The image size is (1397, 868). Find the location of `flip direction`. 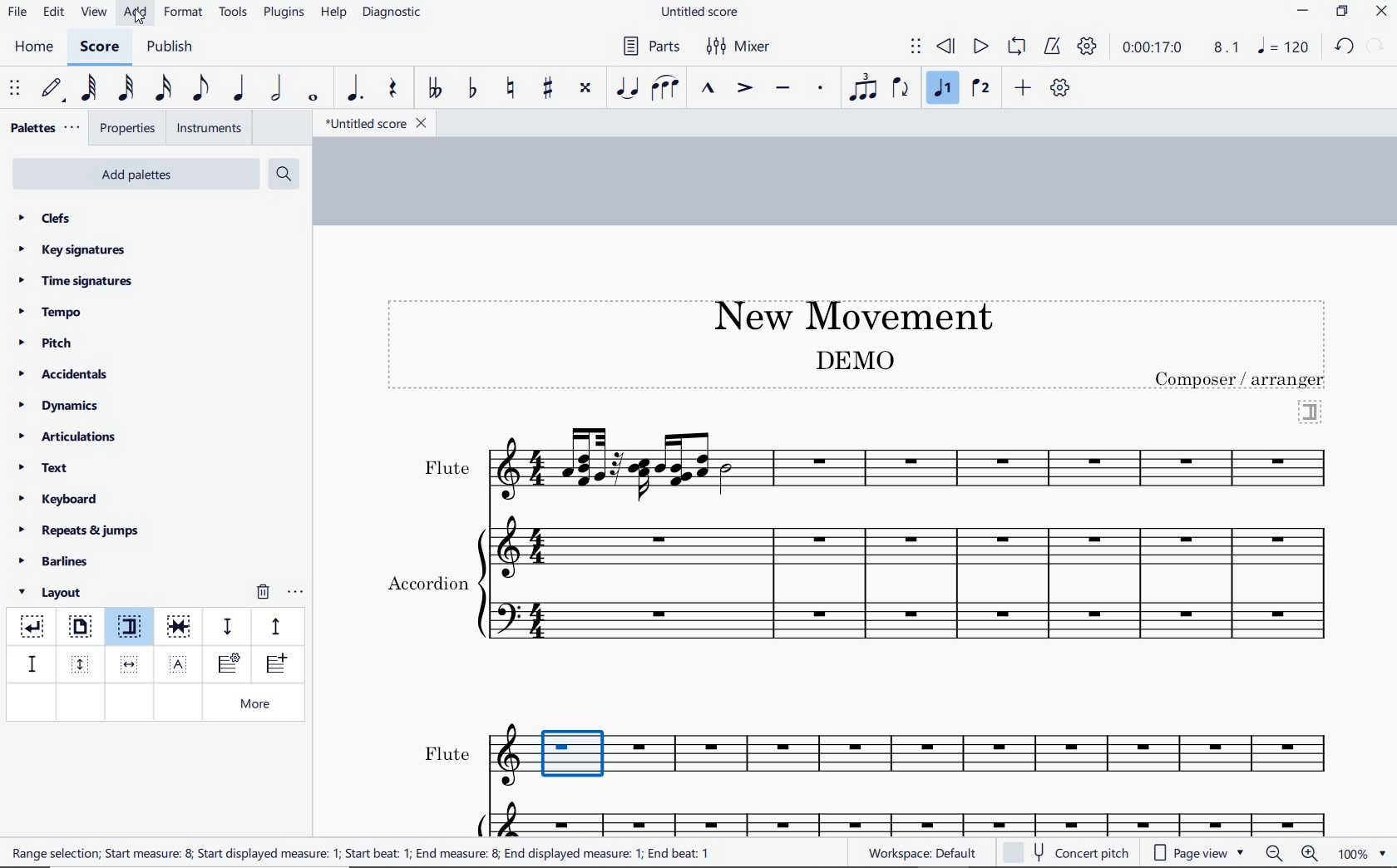

flip direction is located at coordinates (901, 86).